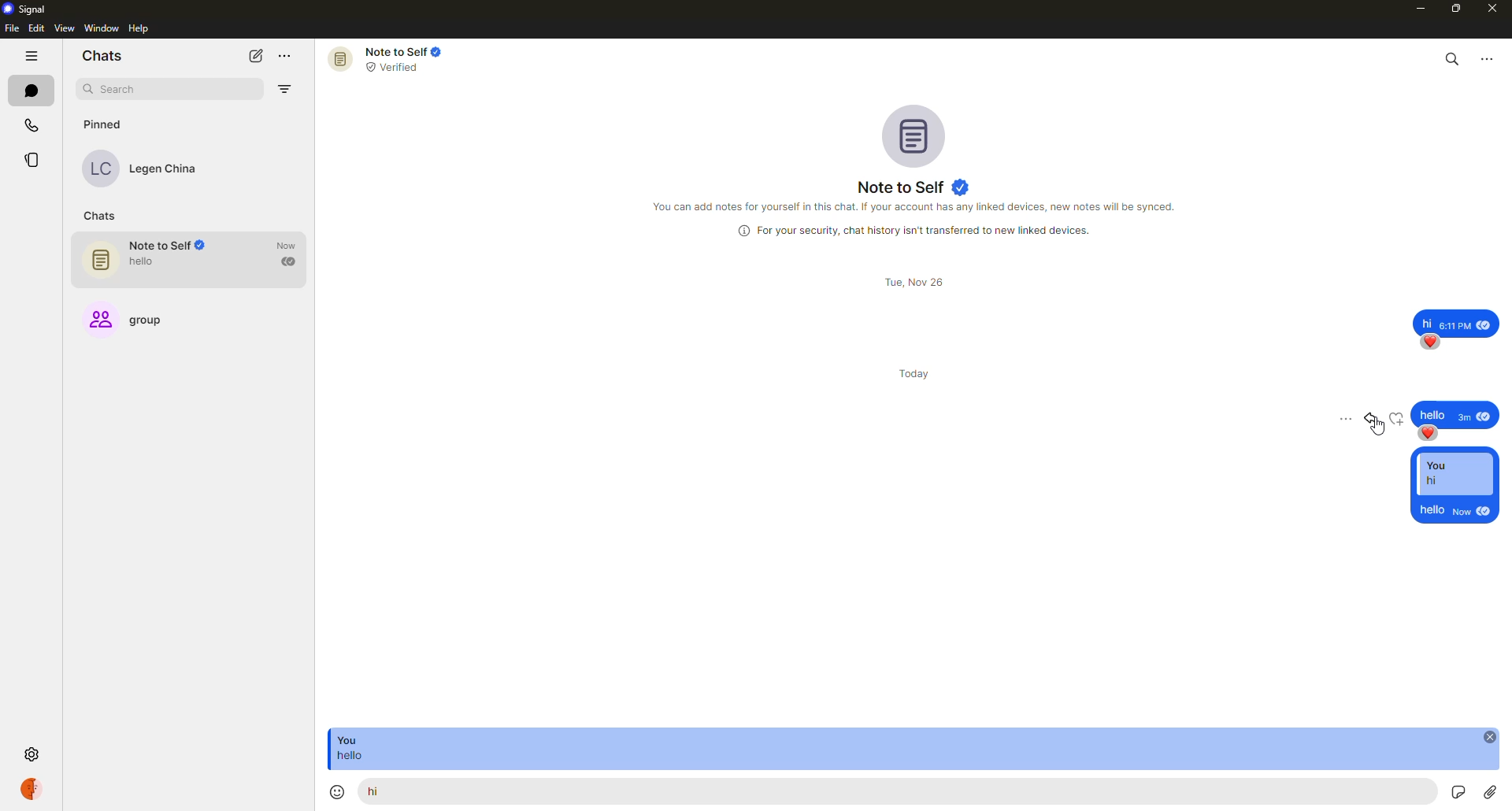 This screenshot has width=1512, height=811. I want to click on info, so click(919, 207).